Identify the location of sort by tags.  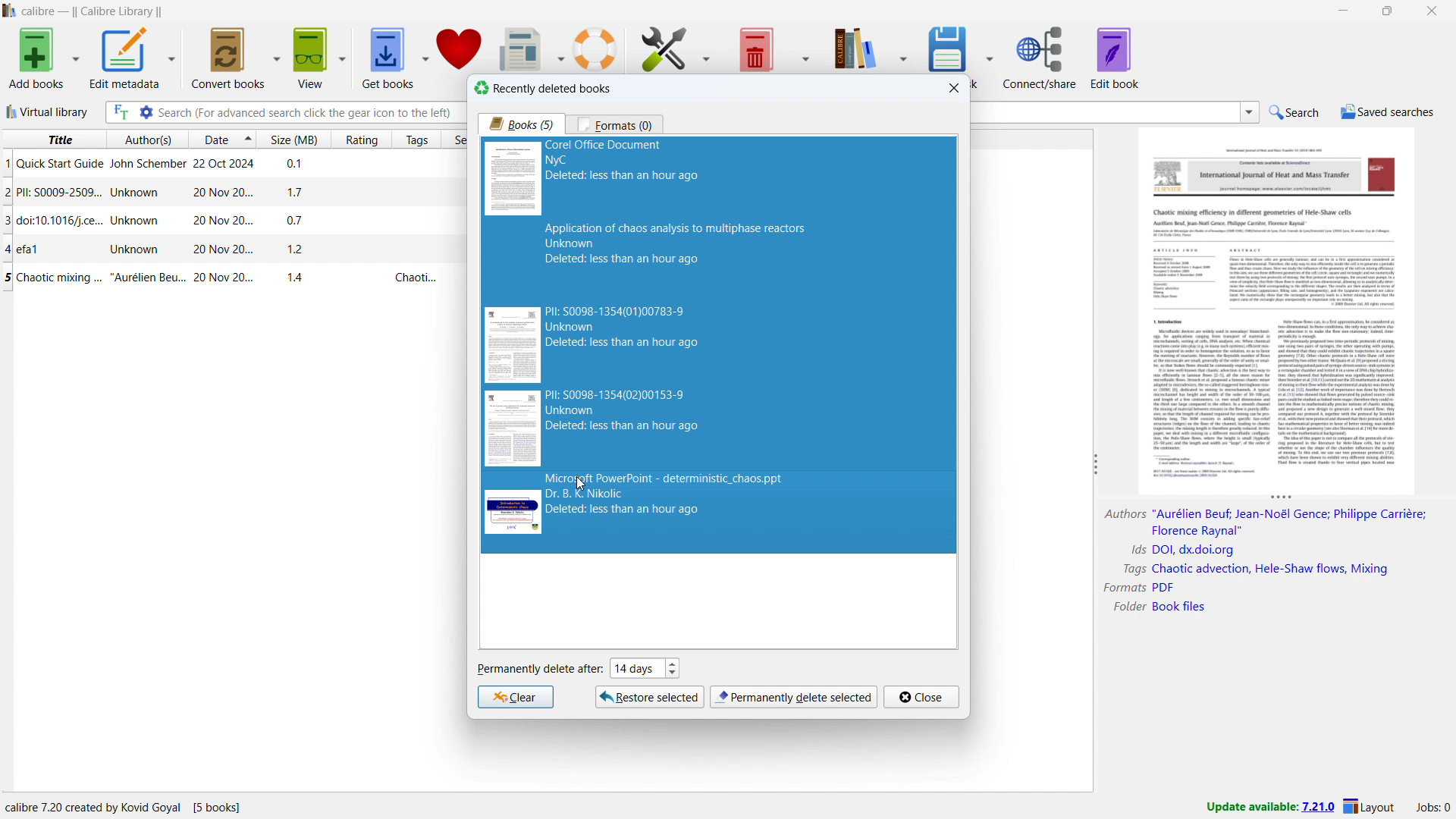
(418, 139).